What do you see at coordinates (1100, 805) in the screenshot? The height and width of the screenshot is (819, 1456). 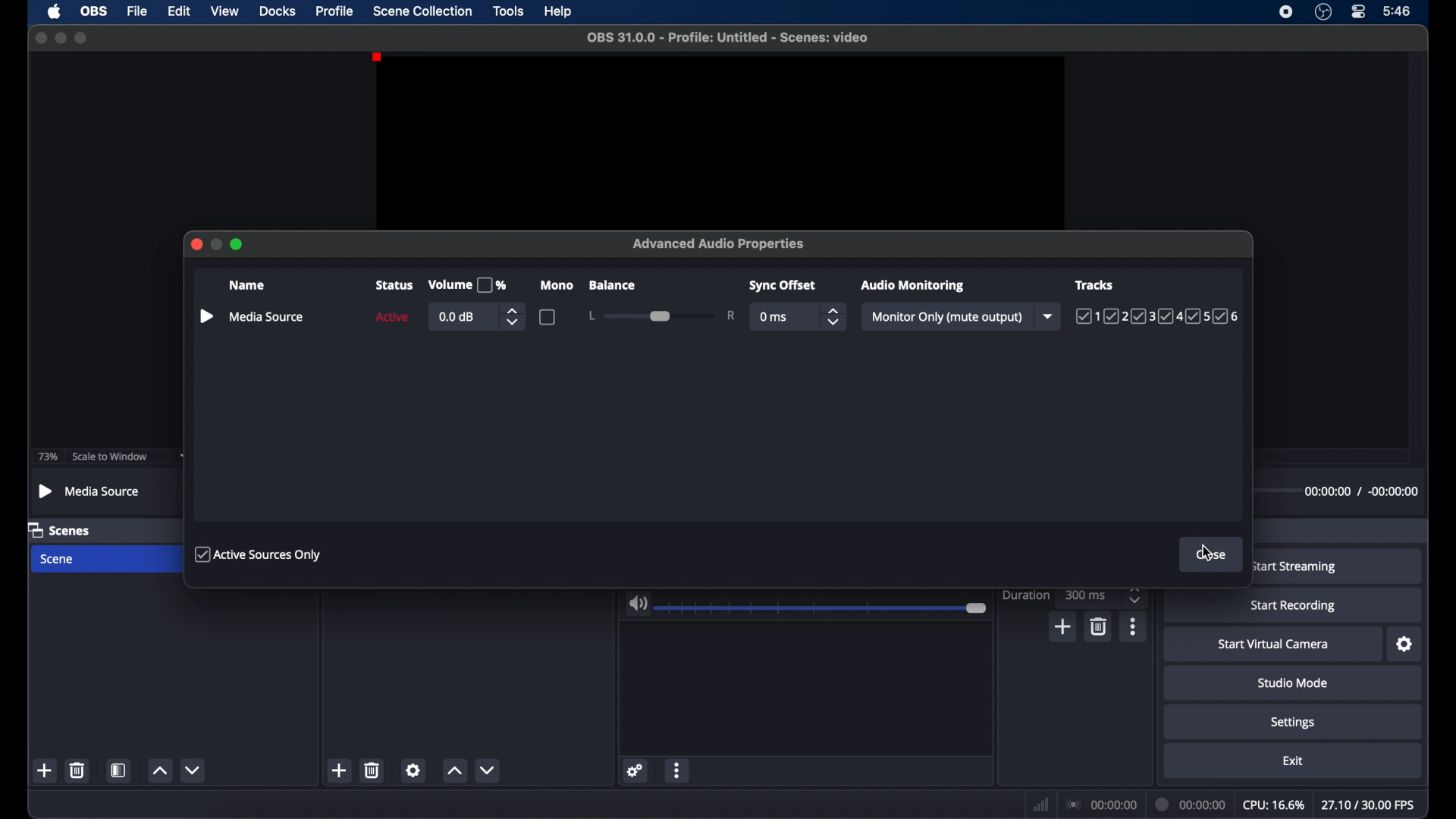 I see `connection` at bounding box center [1100, 805].